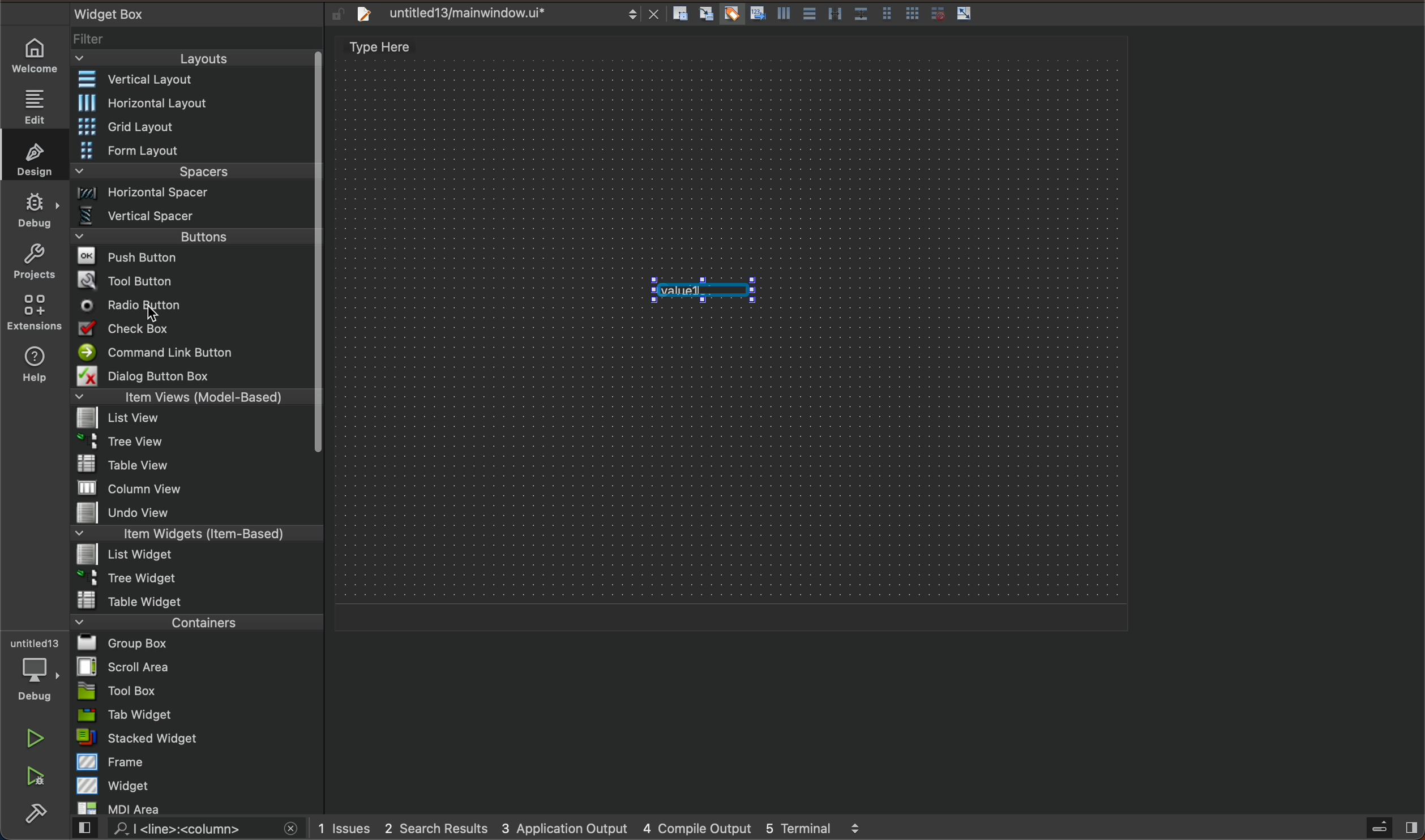 Image resolution: width=1425 pixels, height=840 pixels. Describe the element at coordinates (194, 378) in the screenshot. I see `dialong button` at that location.